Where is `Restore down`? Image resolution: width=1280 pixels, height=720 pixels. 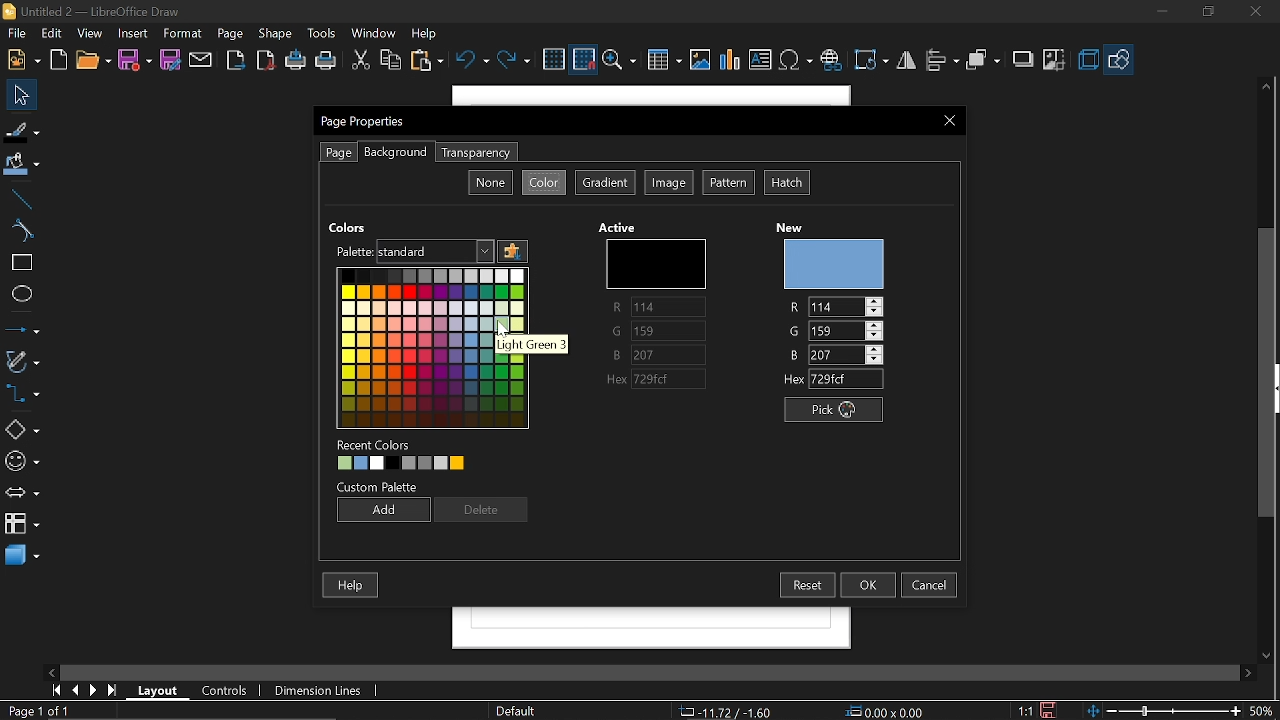
Restore down is located at coordinates (1206, 14).